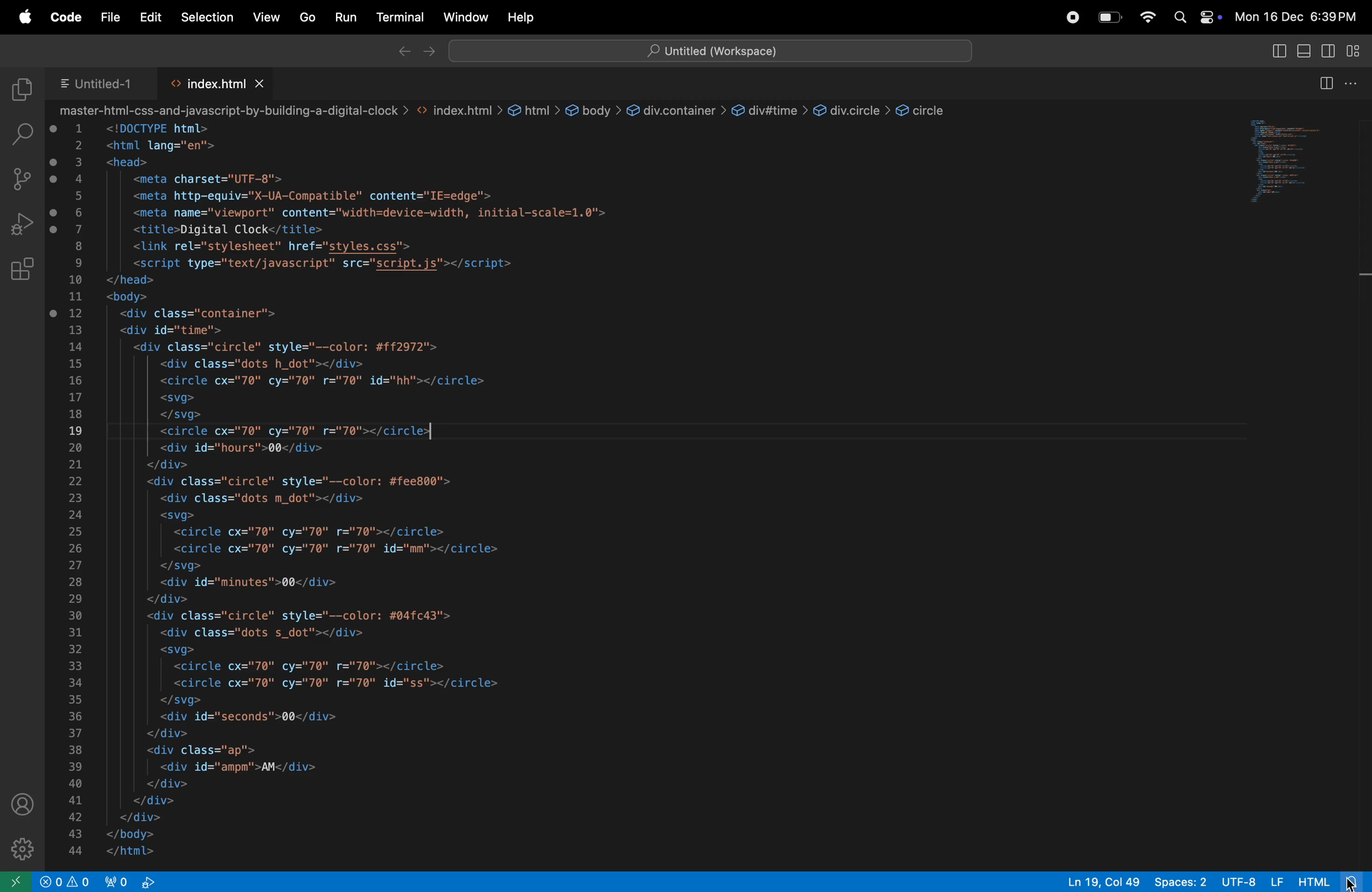  What do you see at coordinates (207, 16) in the screenshot?
I see `selection` at bounding box center [207, 16].